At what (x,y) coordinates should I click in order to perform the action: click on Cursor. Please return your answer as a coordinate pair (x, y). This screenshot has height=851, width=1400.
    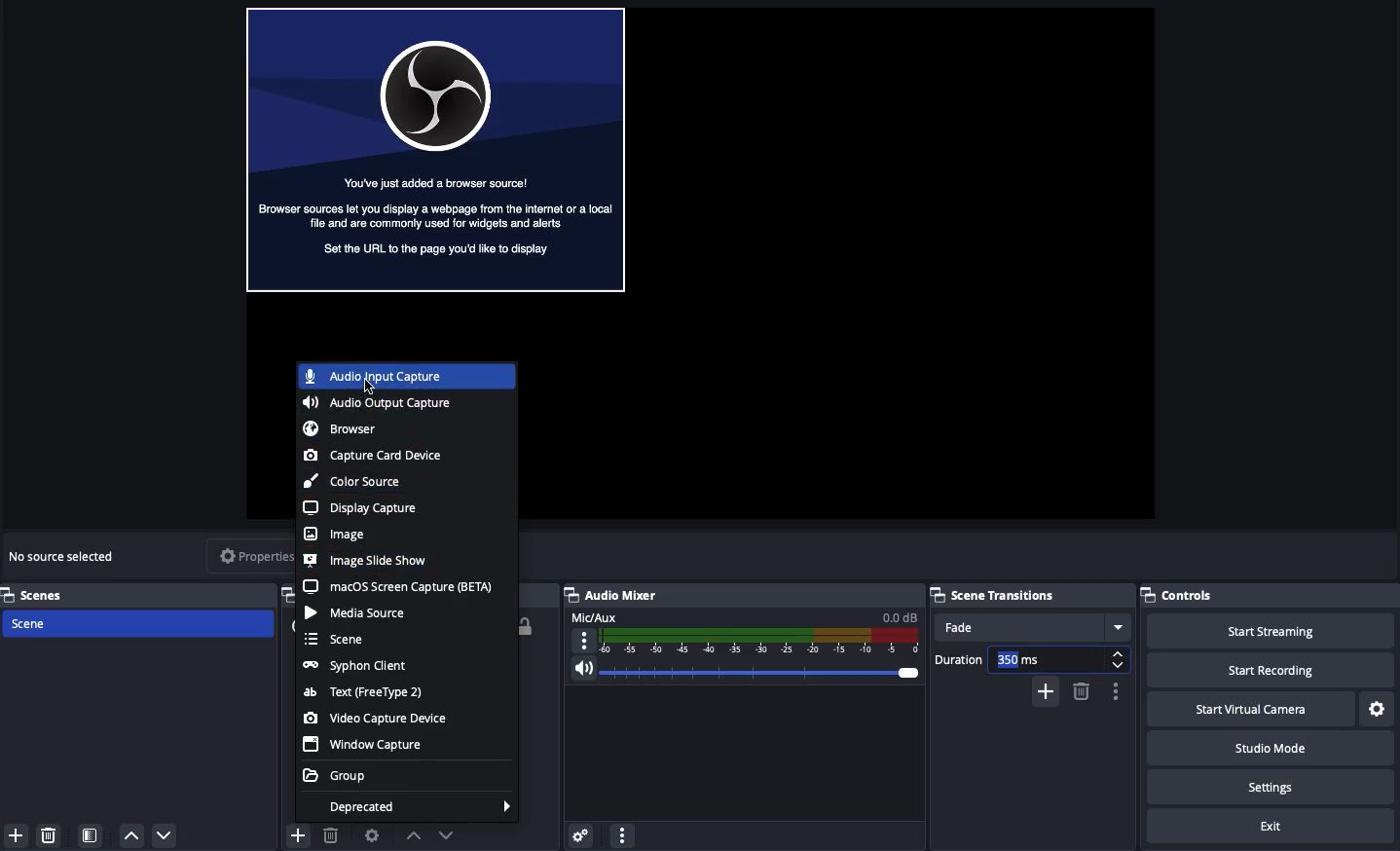
    Looking at the image, I should click on (371, 388).